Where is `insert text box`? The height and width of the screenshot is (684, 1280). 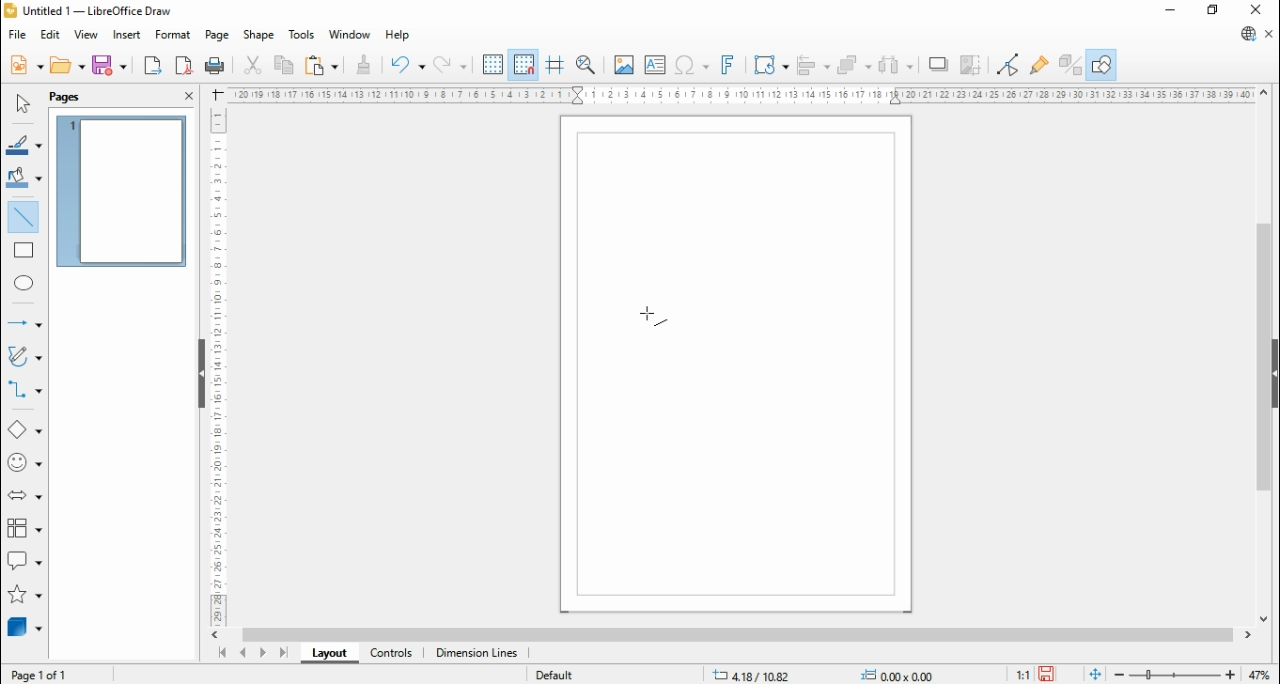 insert text box is located at coordinates (653, 64).